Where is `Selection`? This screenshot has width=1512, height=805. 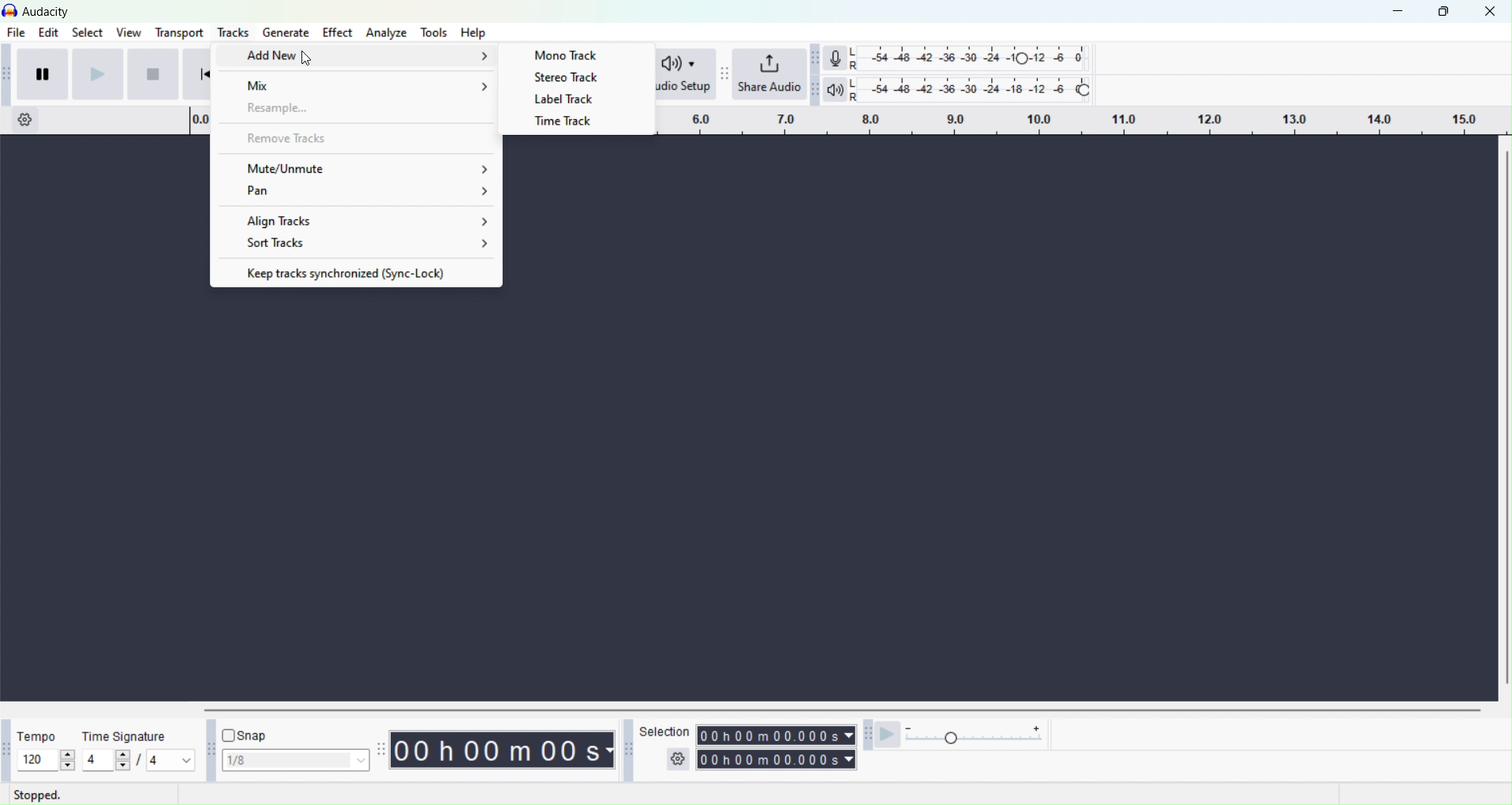 Selection is located at coordinates (666, 744).